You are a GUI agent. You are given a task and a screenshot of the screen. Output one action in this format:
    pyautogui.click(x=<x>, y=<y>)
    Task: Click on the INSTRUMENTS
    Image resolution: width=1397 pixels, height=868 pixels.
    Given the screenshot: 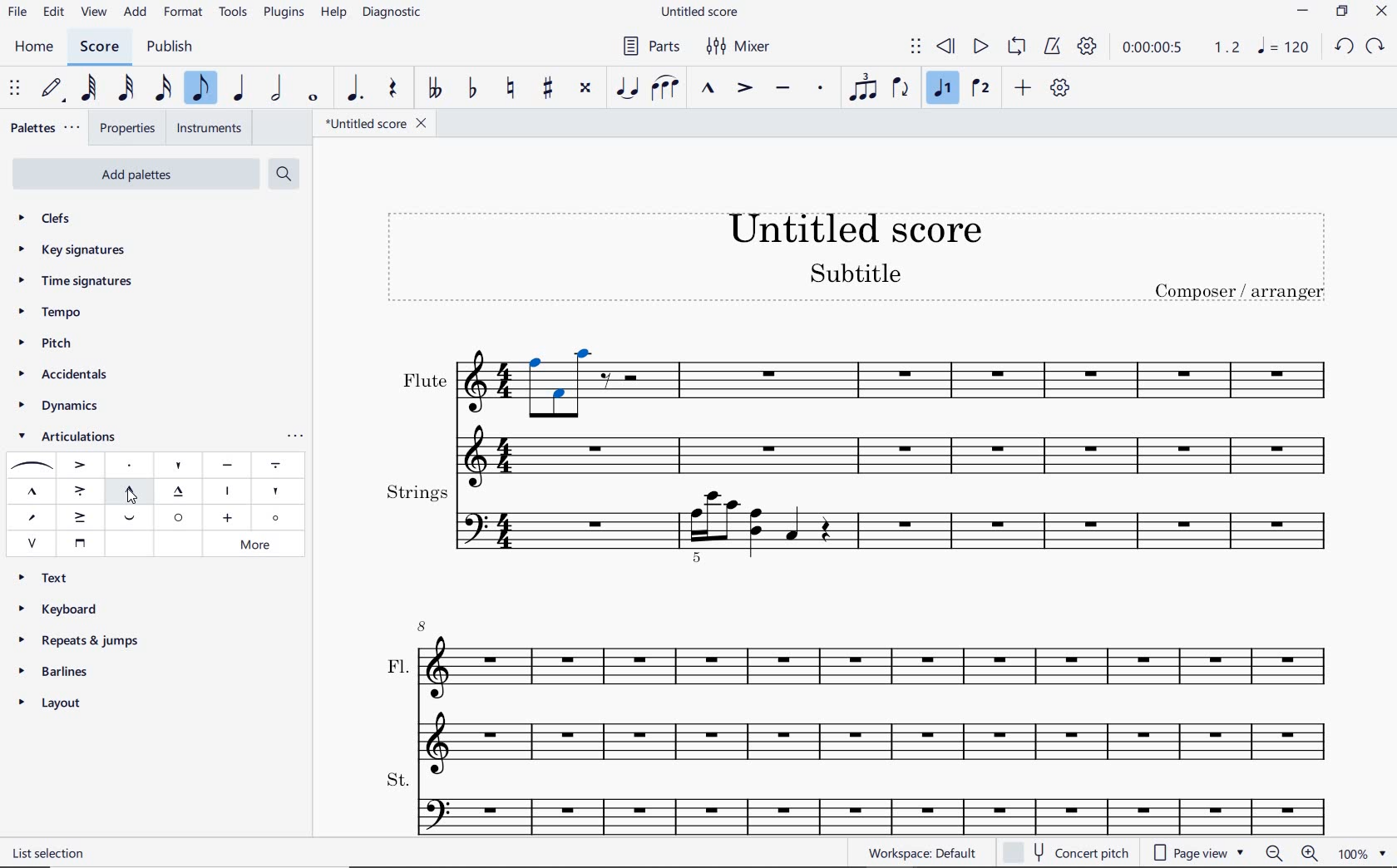 What is the action you would take?
    pyautogui.click(x=210, y=128)
    